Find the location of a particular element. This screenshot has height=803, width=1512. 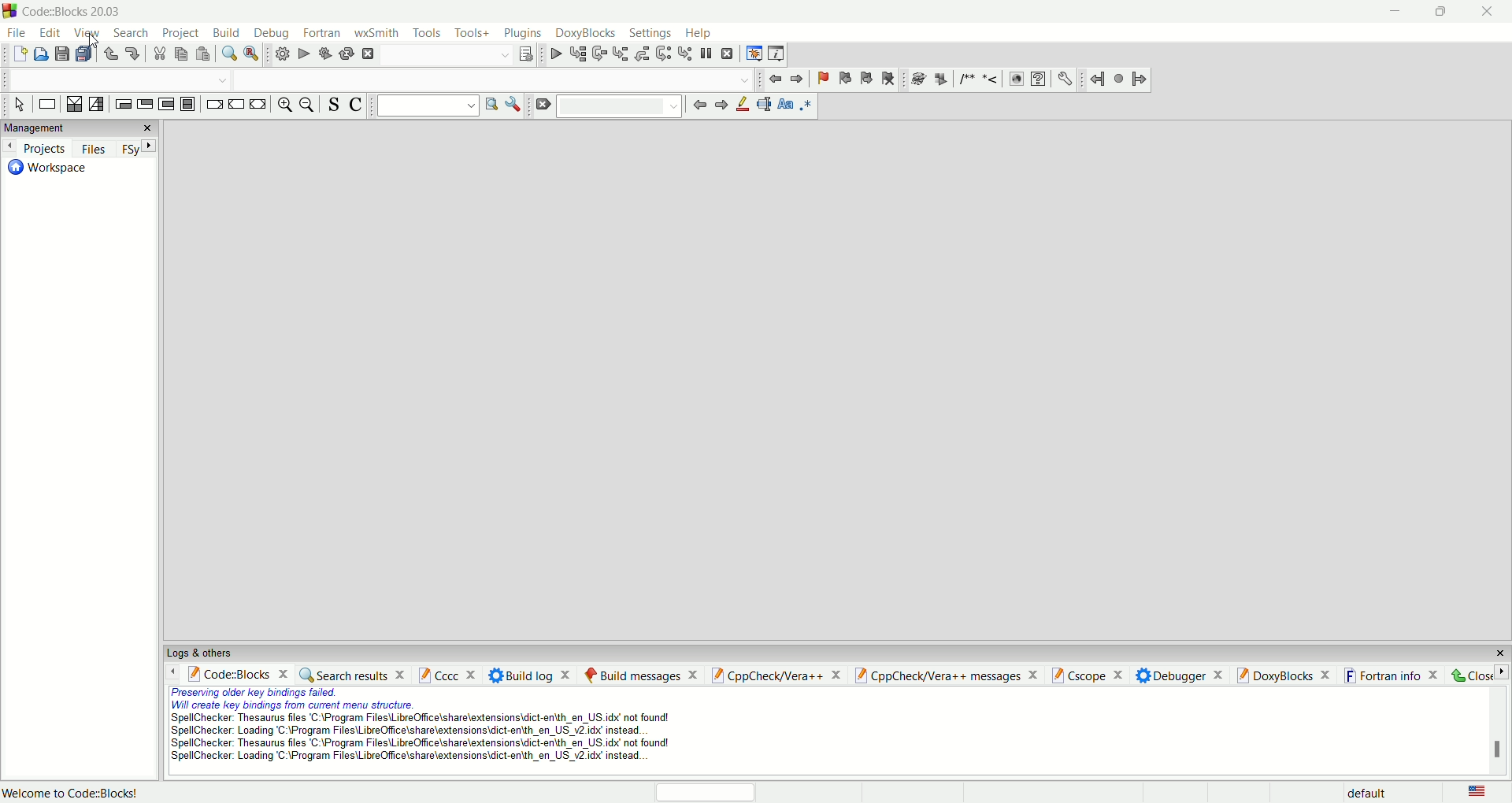

close is located at coordinates (1480, 675).